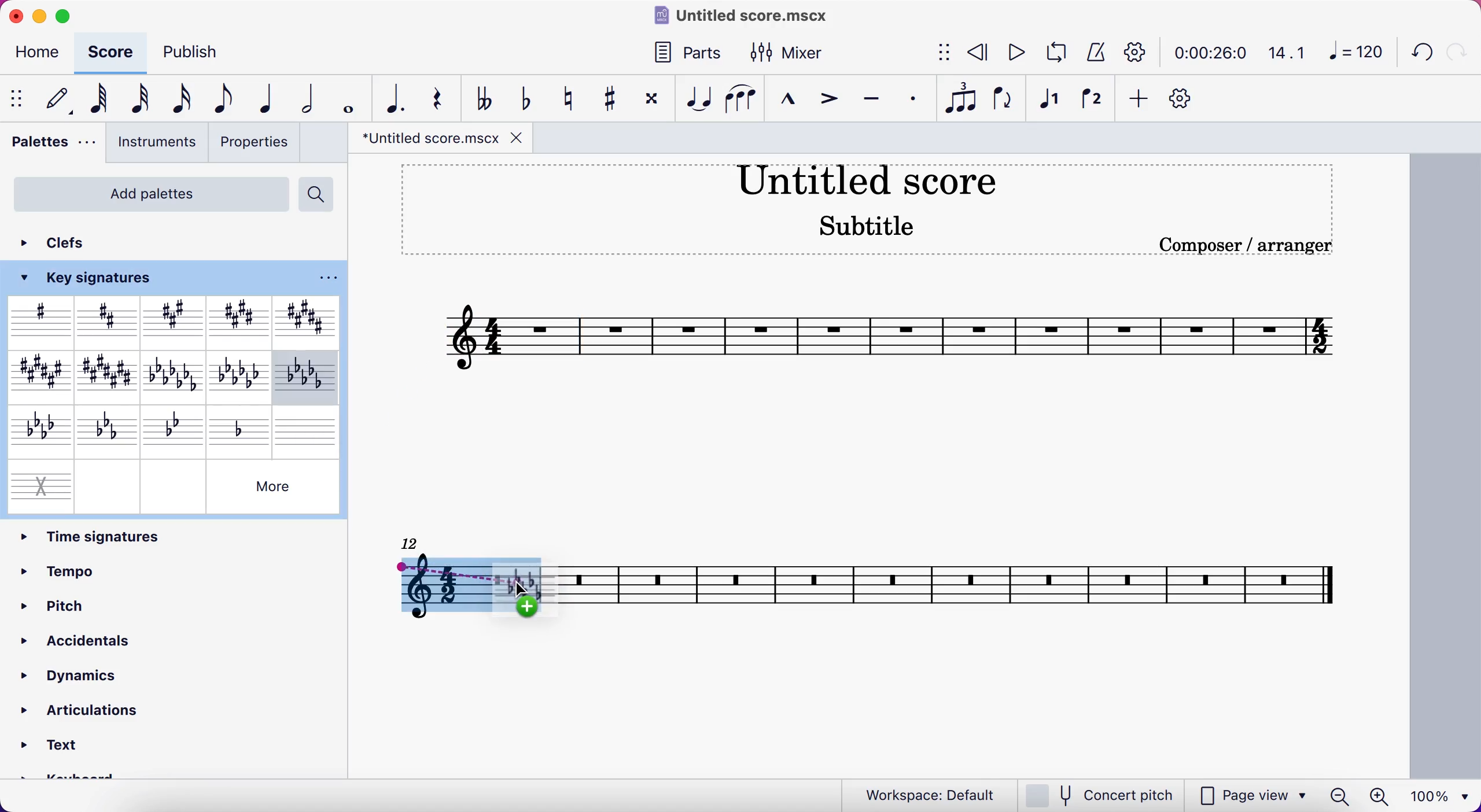 The height and width of the screenshot is (812, 1481). What do you see at coordinates (1012, 51) in the screenshot?
I see `play` at bounding box center [1012, 51].